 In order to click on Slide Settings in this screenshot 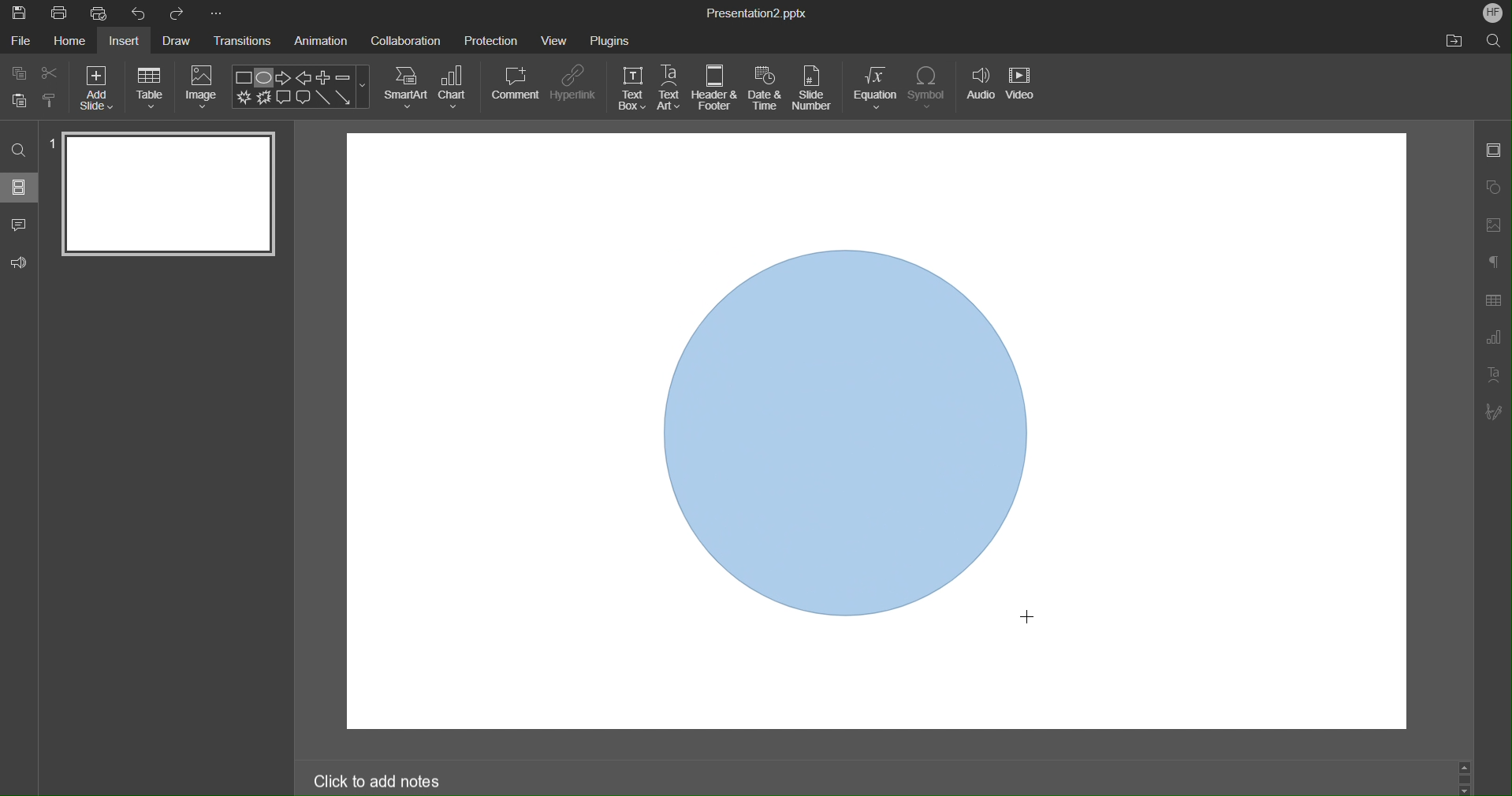, I will do `click(1493, 153)`.